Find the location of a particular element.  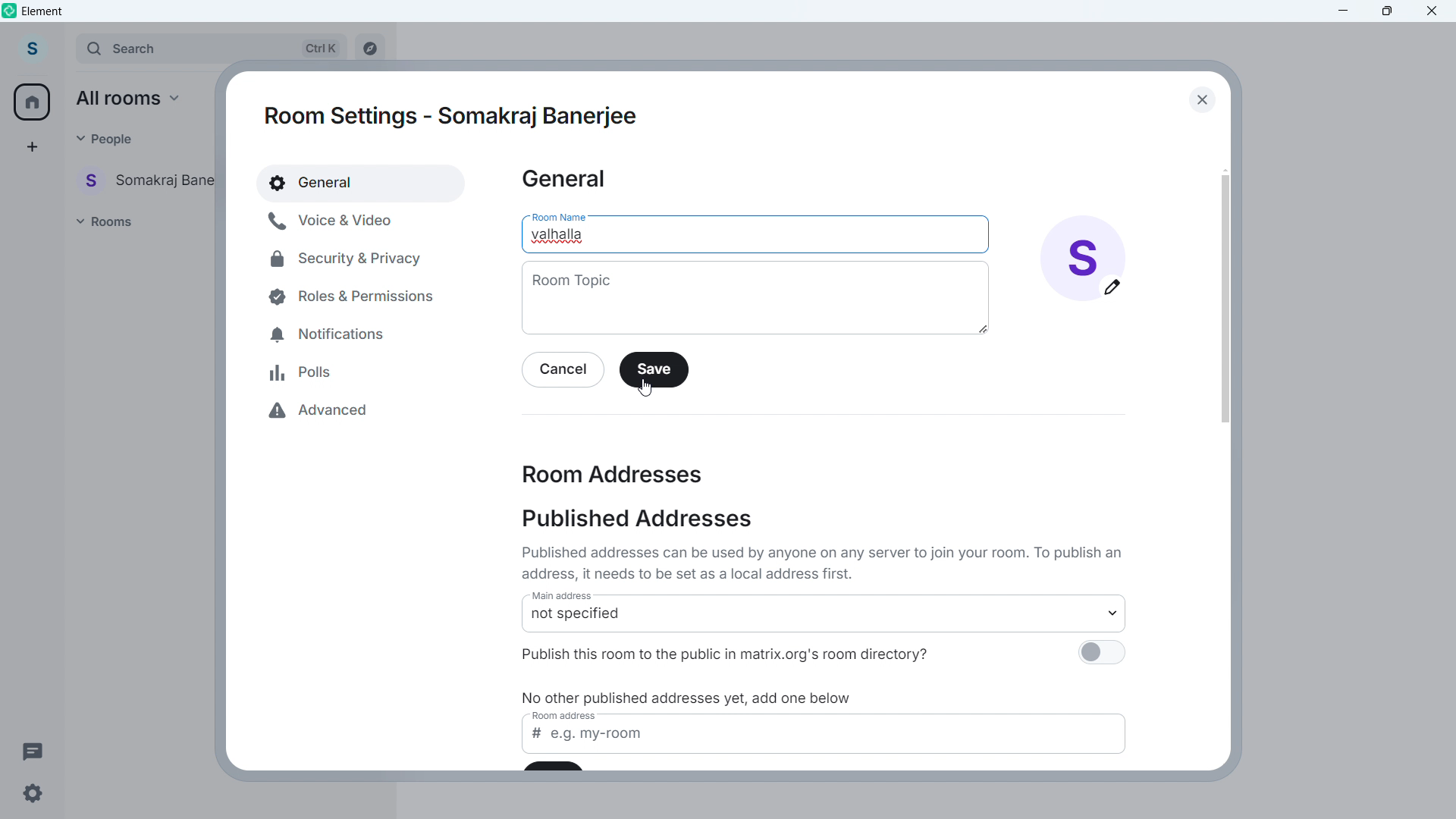

minimize is located at coordinates (1344, 11).